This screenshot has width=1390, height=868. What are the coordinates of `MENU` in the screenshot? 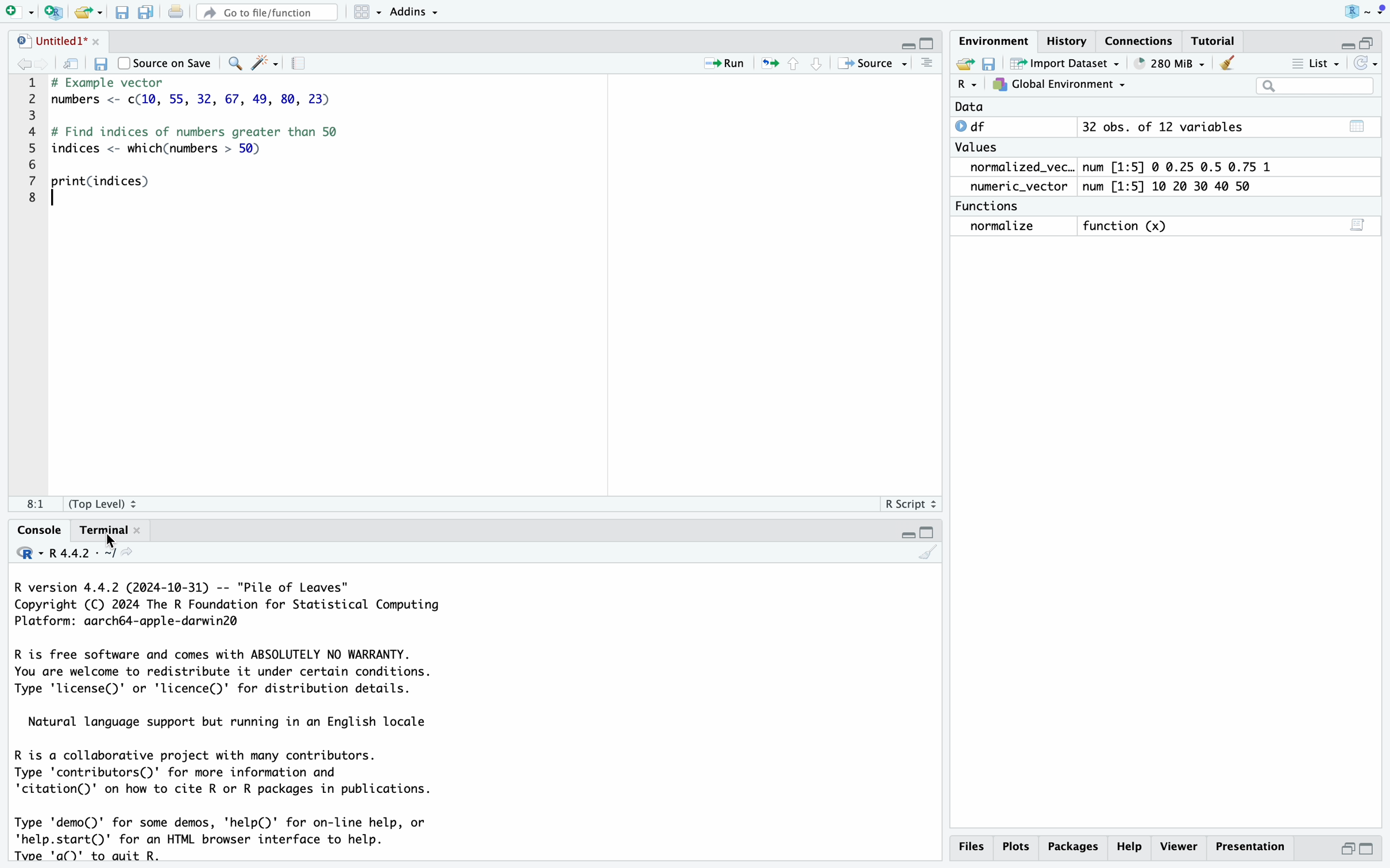 It's located at (929, 67).